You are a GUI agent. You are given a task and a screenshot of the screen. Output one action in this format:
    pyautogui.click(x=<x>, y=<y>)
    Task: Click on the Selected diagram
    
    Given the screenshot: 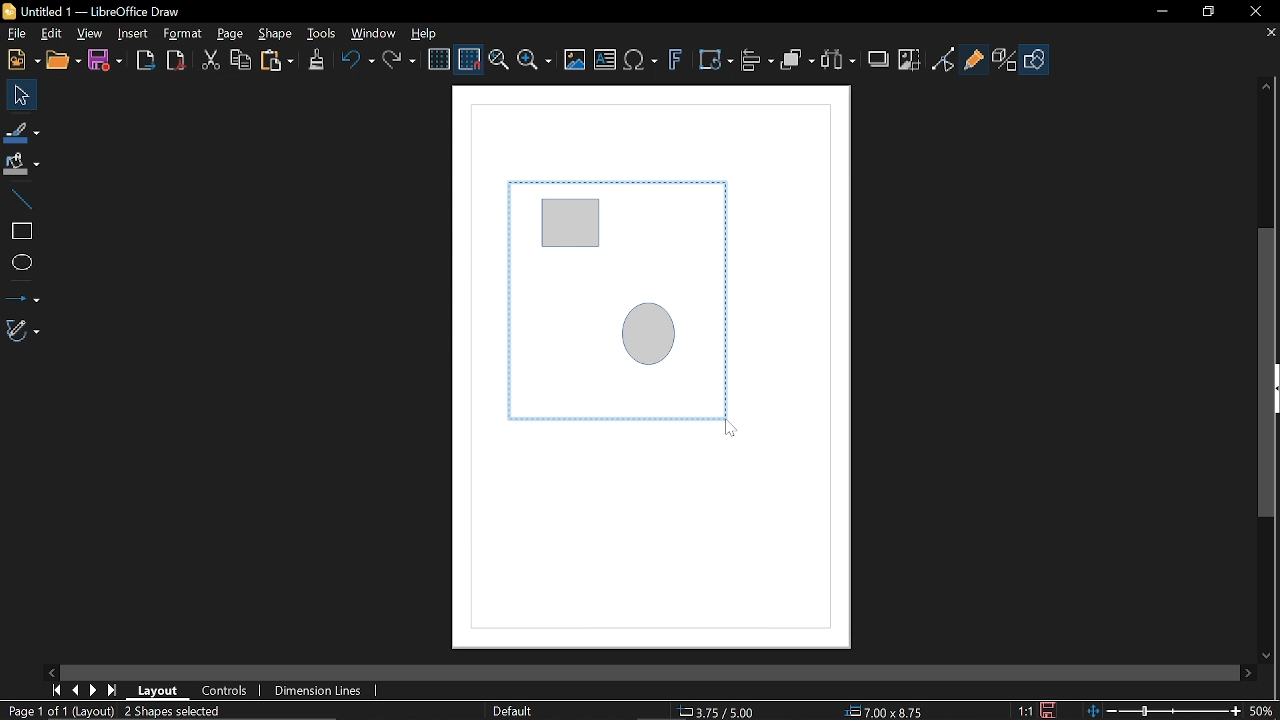 What is the action you would take?
    pyautogui.click(x=630, y=321)
    